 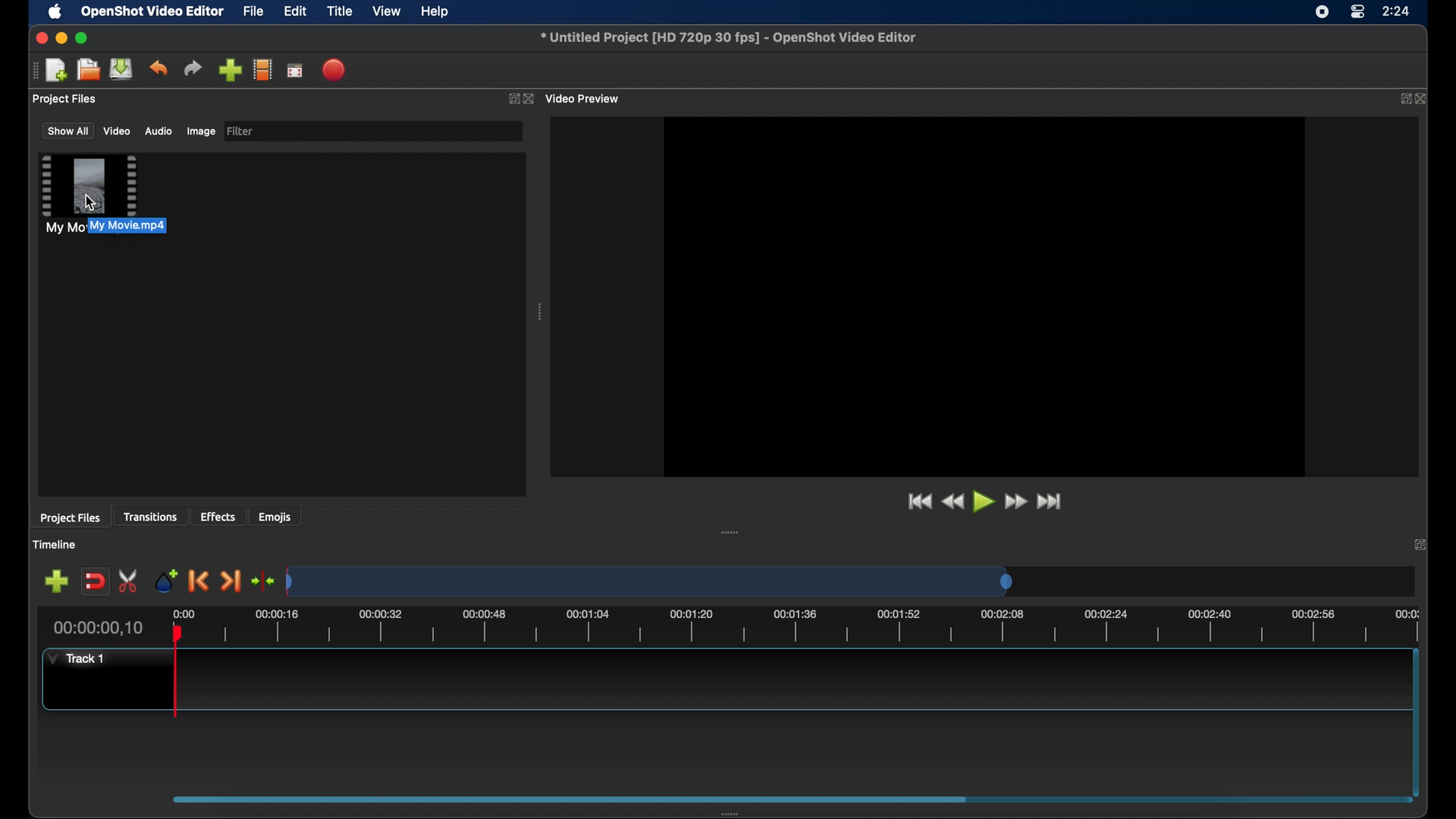 What do you see at coordinates (62, 37) in the screenshot?
I see `minimize` at bounding box center [62, 37].